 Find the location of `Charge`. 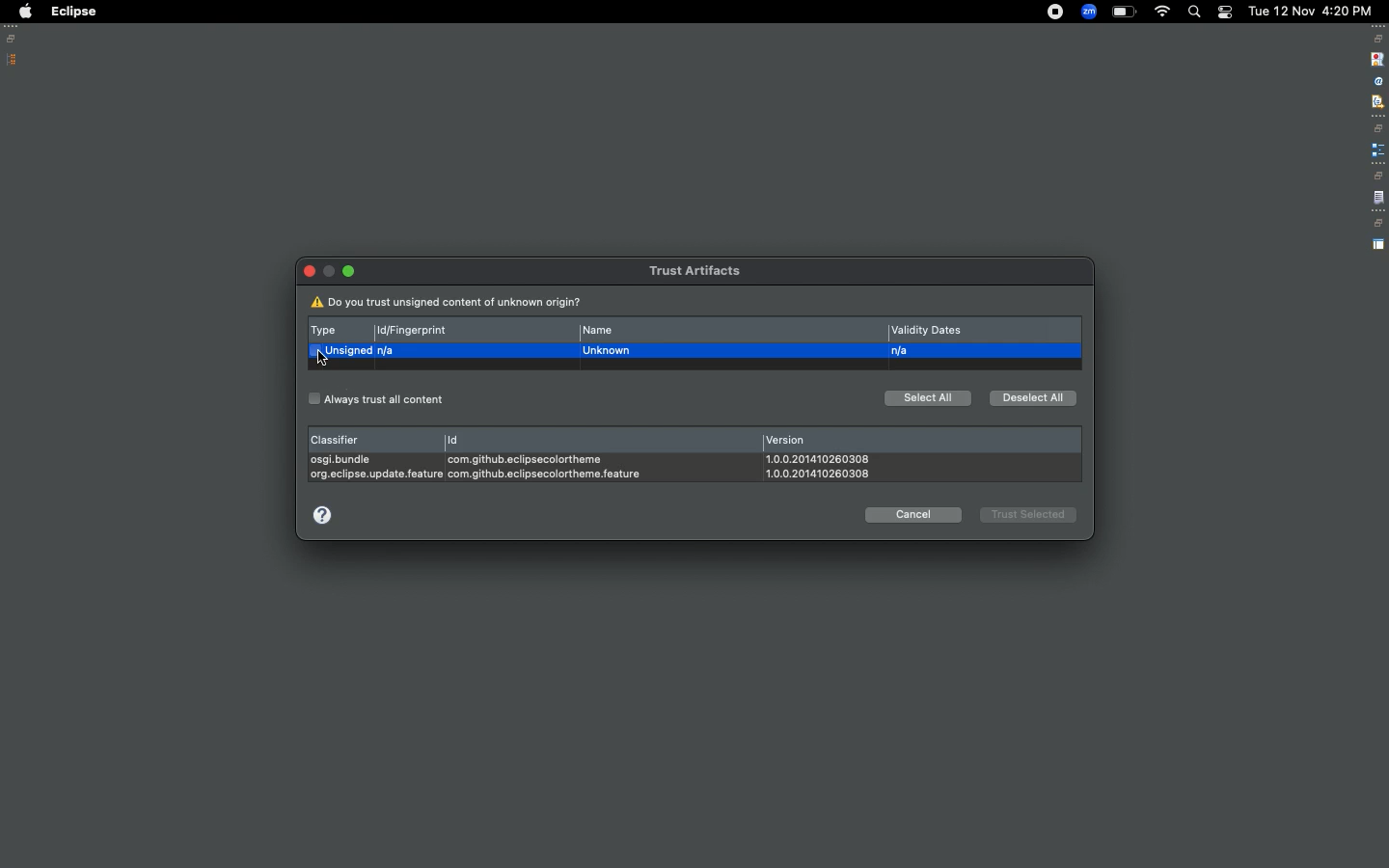

Charge is located at coordinates (1124, 13).